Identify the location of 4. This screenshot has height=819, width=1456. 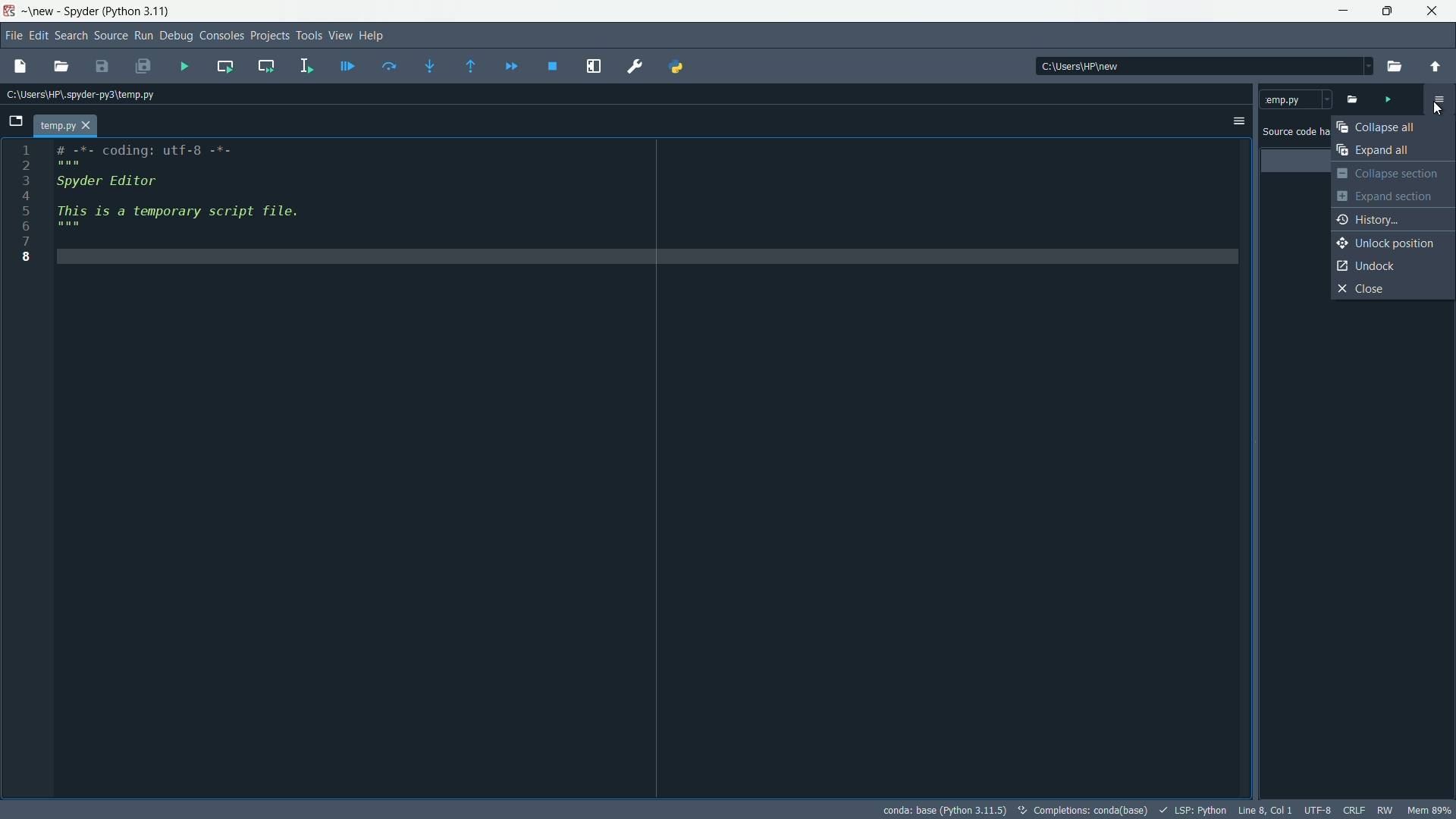
(28, 196).